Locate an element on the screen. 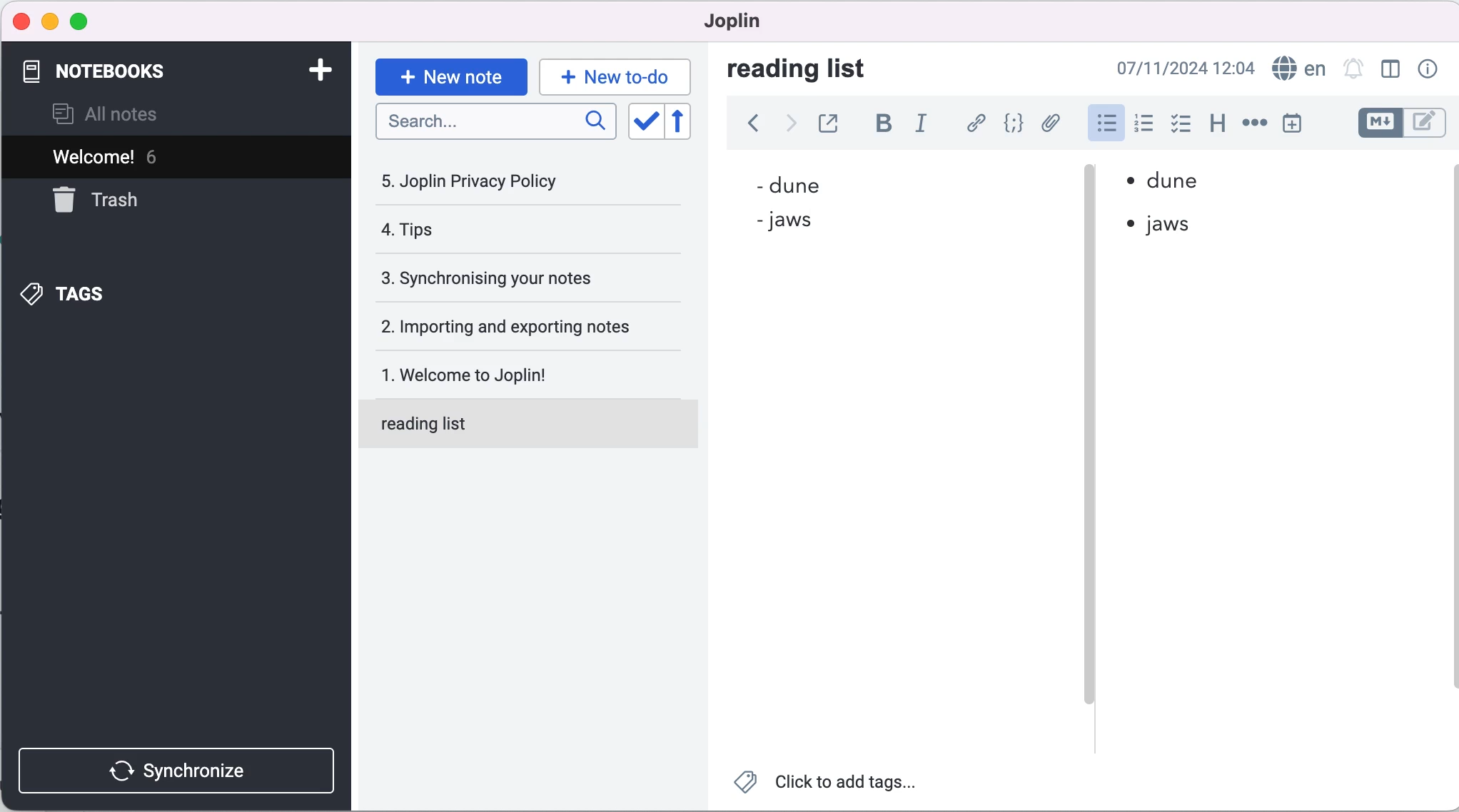 Image resolution: width=1459 pixels, height=812 pixels. minimize is located at coordinates (50, 21).